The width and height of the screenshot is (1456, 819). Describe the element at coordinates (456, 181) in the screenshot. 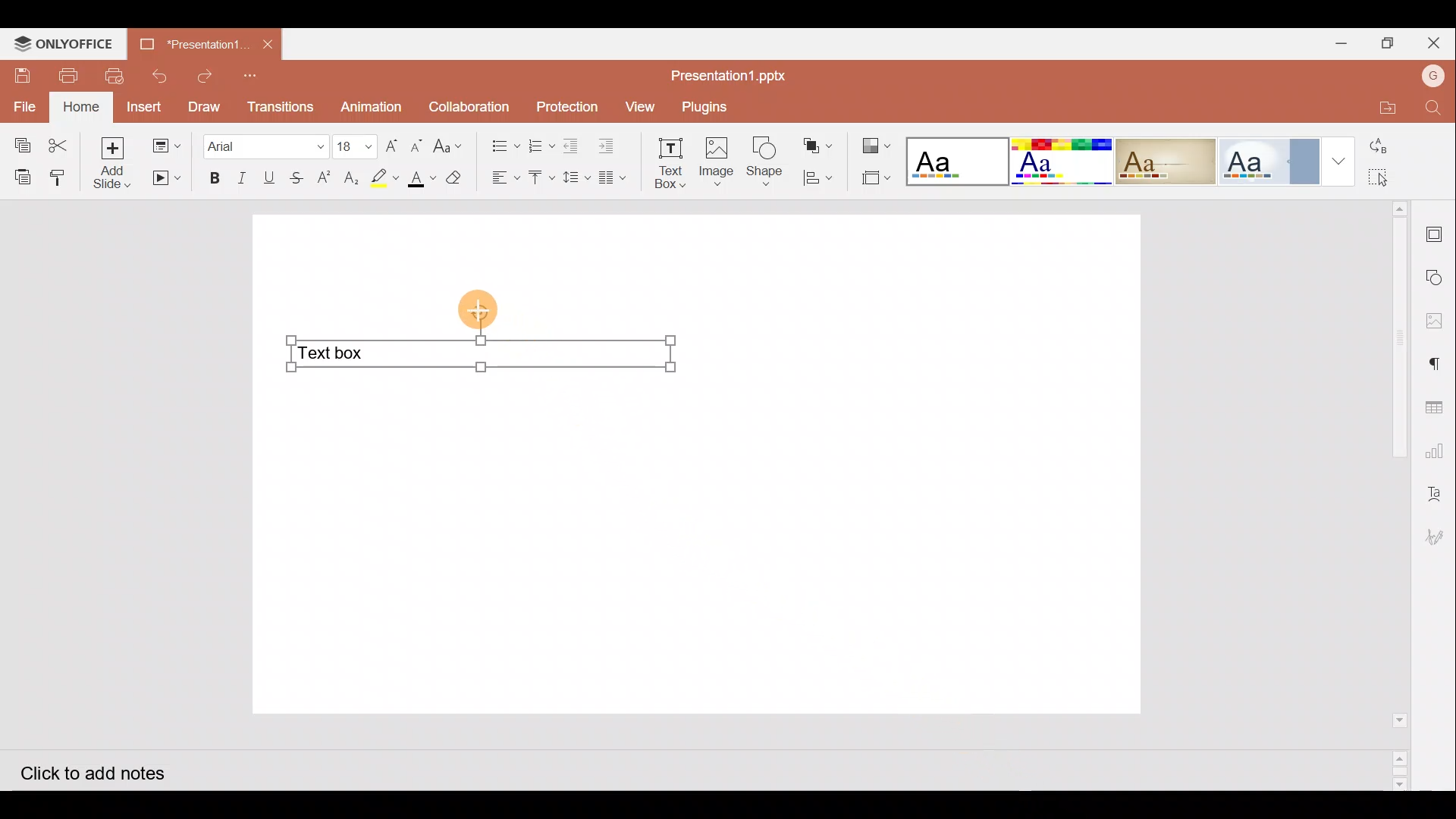

I see `Clear style` at that location.